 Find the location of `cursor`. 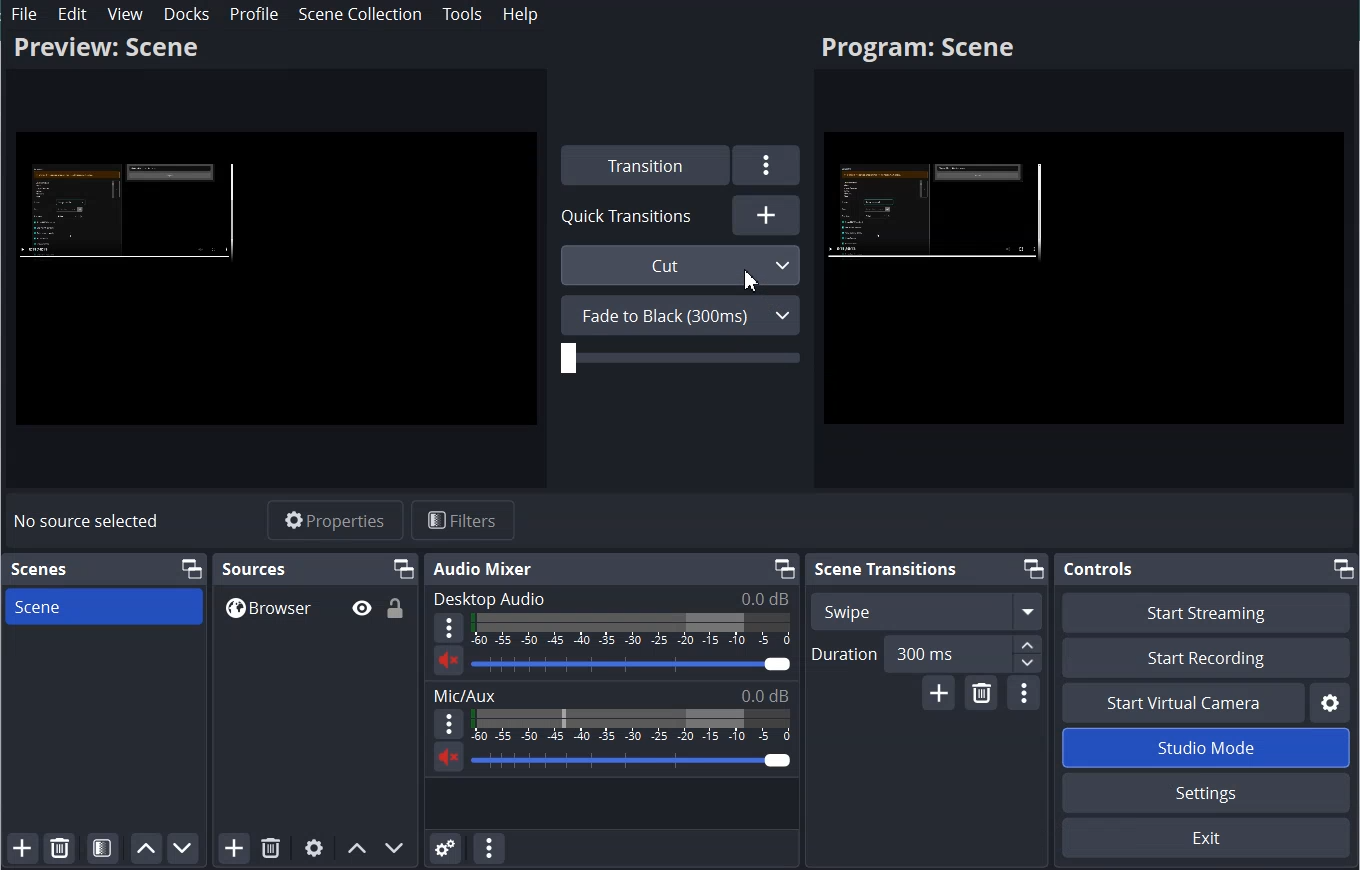

cursor is located at coordinates (747, 281).